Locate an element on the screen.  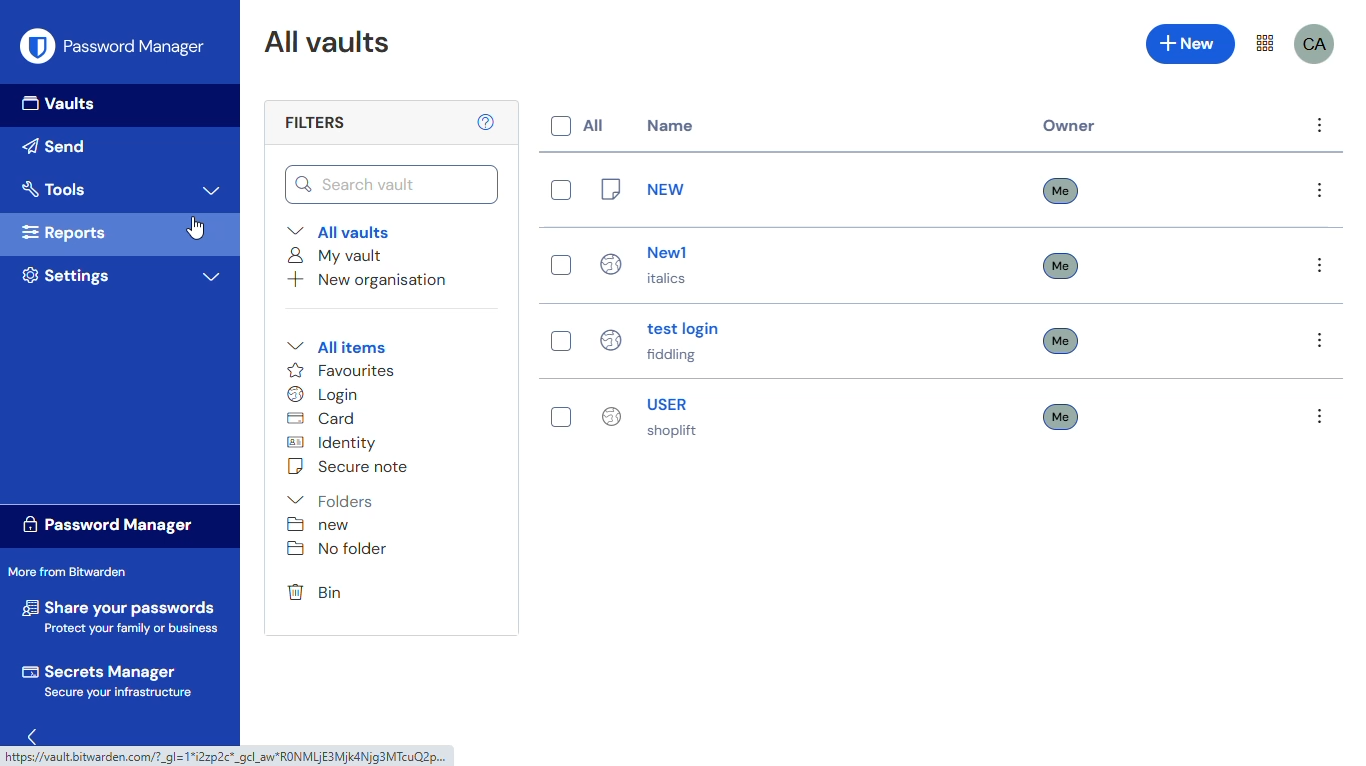
me is located at coordinates (1061, 416).